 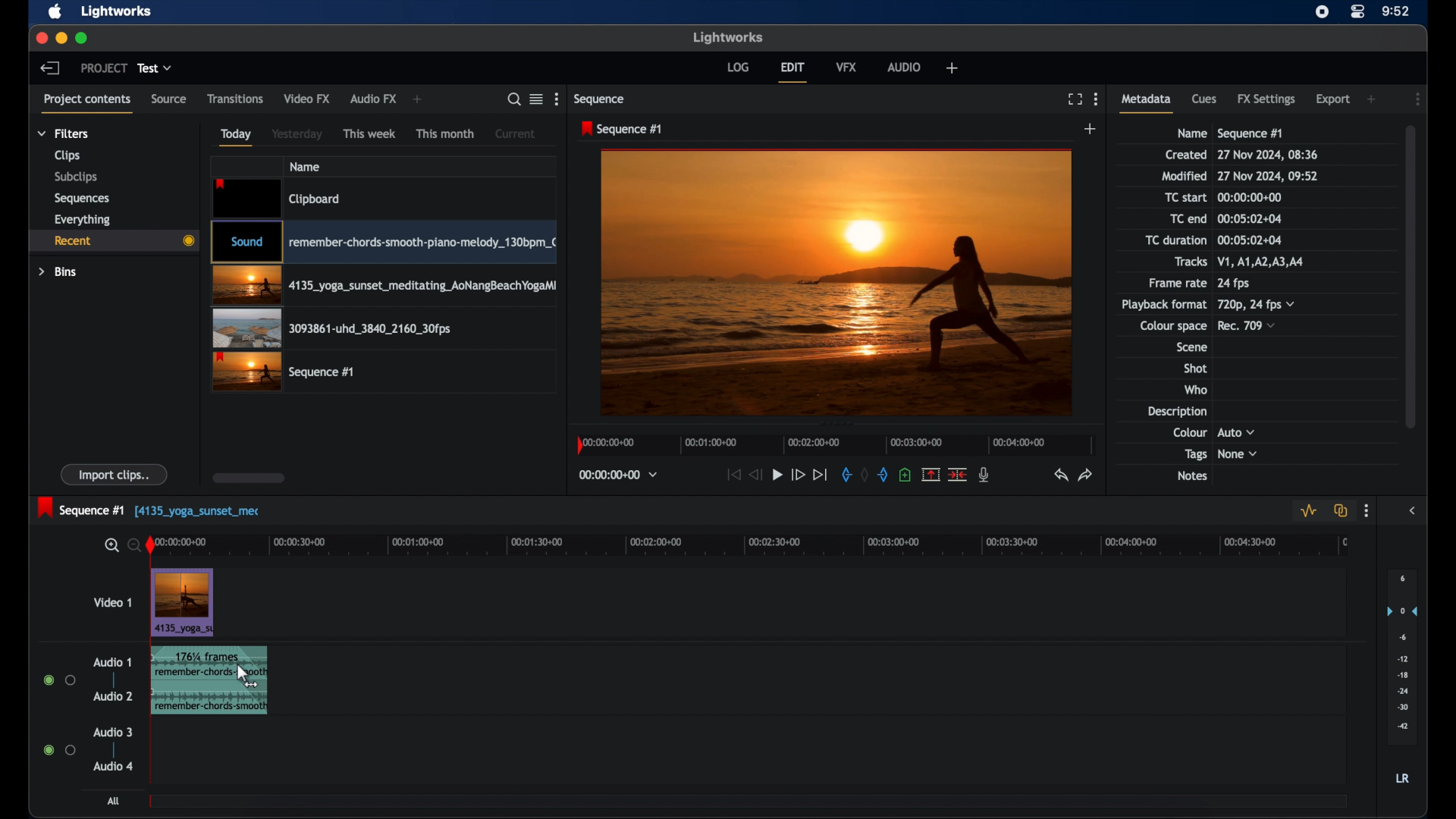 What do you see at coordinates (1257, 304) in the screenshot?
I see `720p, 24fps` at bounding box center [1257, 304].